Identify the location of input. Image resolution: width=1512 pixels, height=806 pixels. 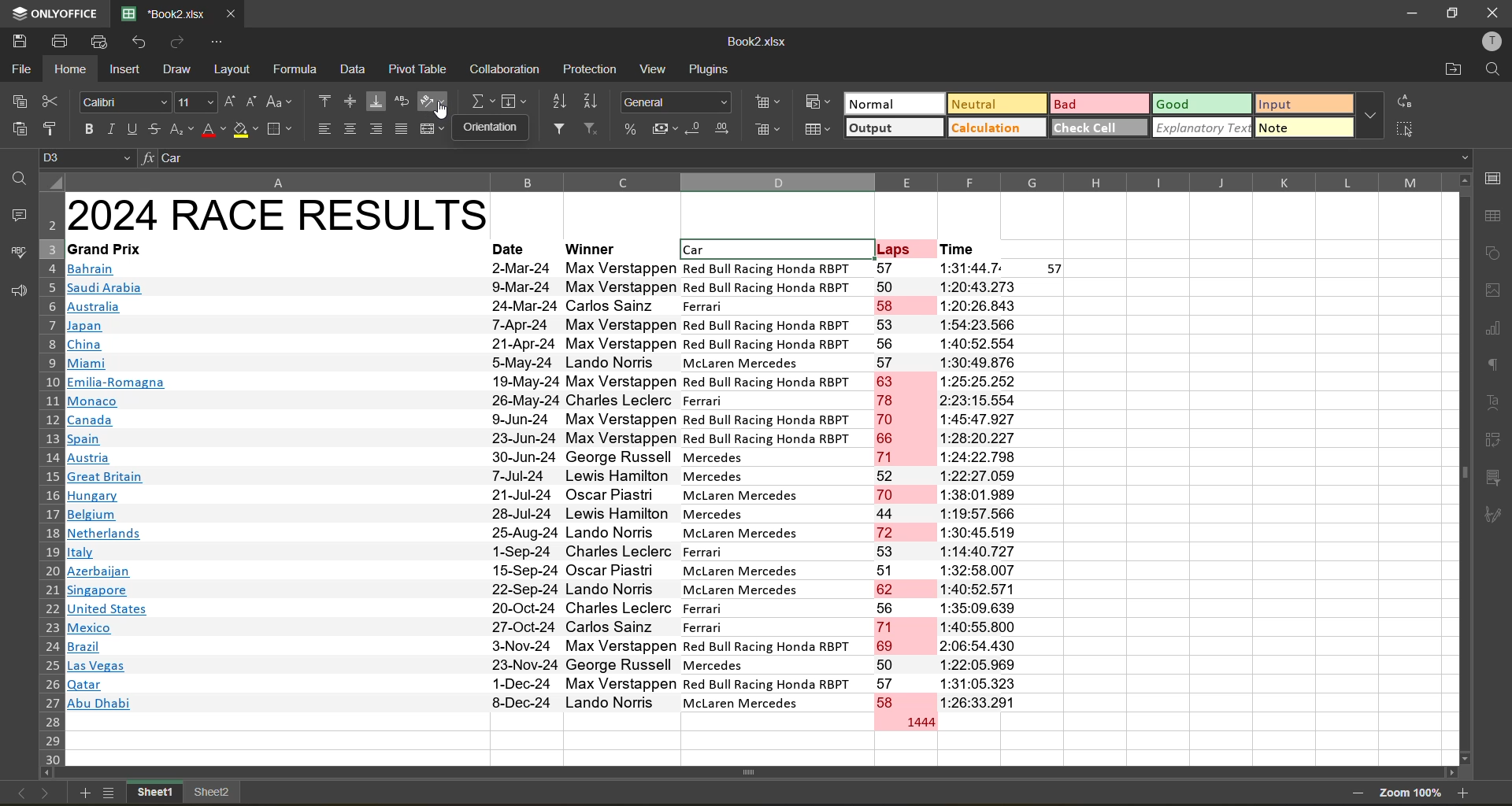
(1304, 104).